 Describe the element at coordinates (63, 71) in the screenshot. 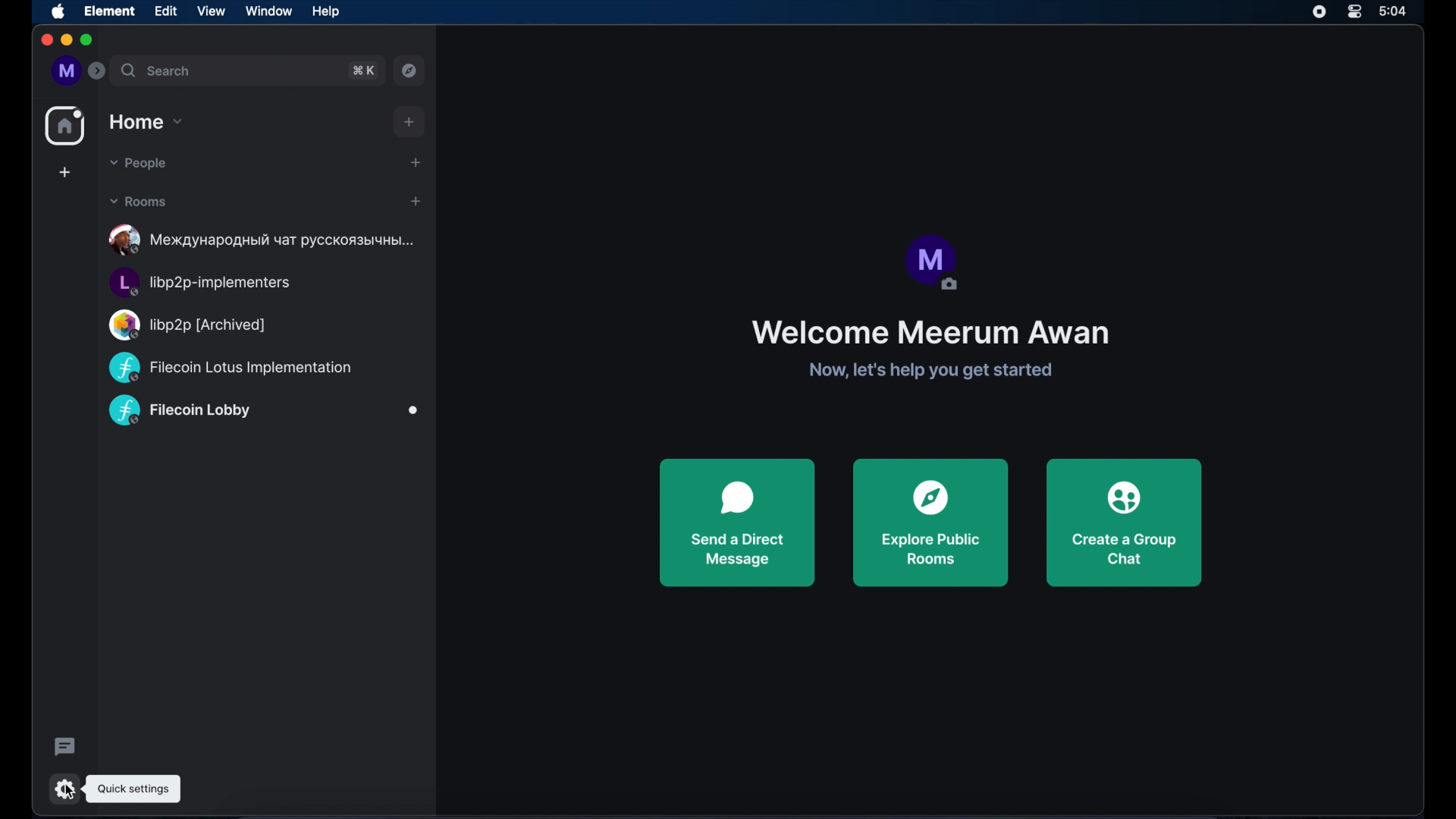

I see `profile` at that location.